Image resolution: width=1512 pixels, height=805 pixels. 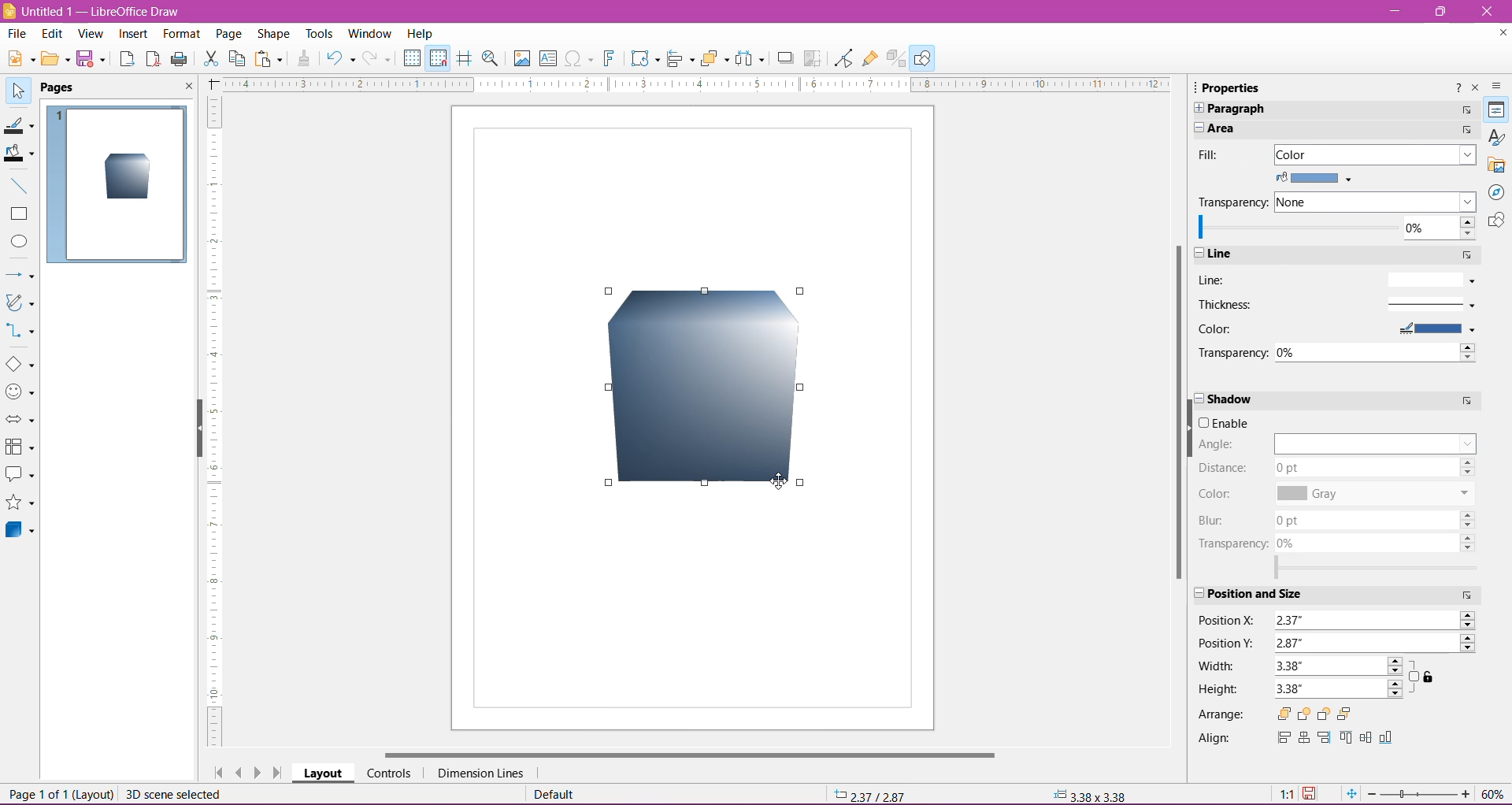 I want to click on Set Shadow color, so click(x=1373, y=494).